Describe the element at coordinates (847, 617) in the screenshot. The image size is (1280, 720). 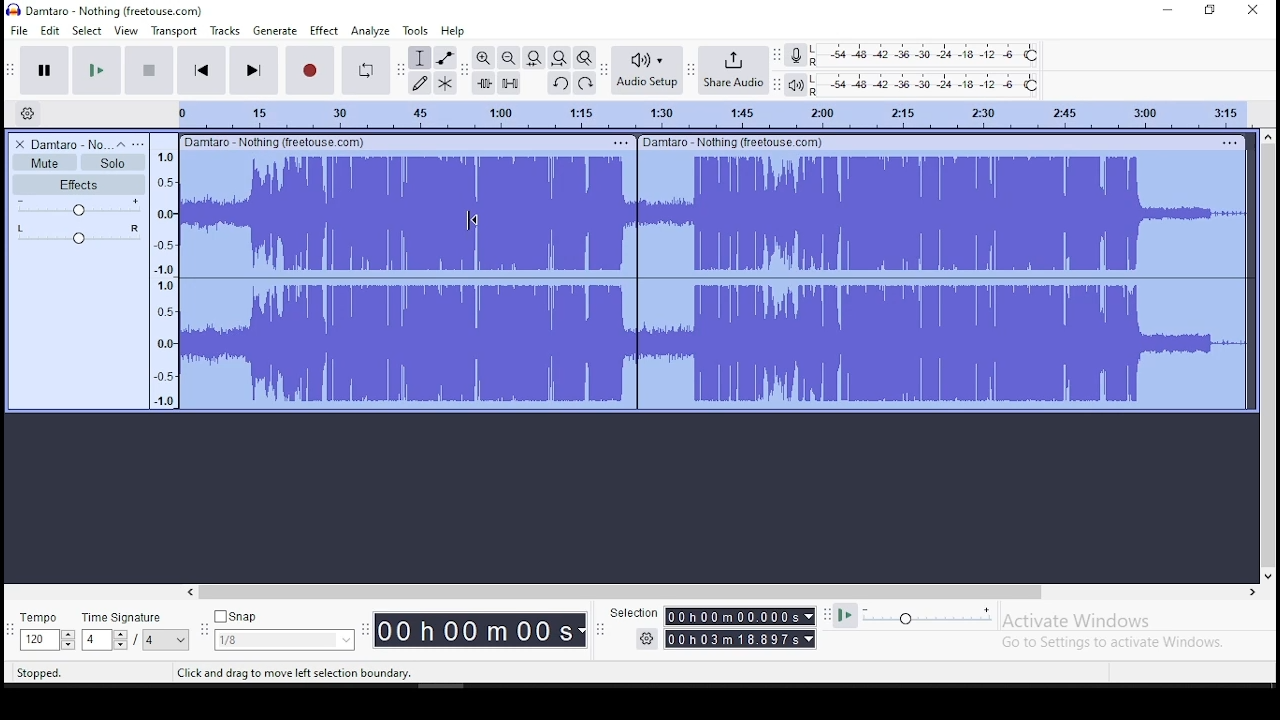
I see `play at speed` at that location.